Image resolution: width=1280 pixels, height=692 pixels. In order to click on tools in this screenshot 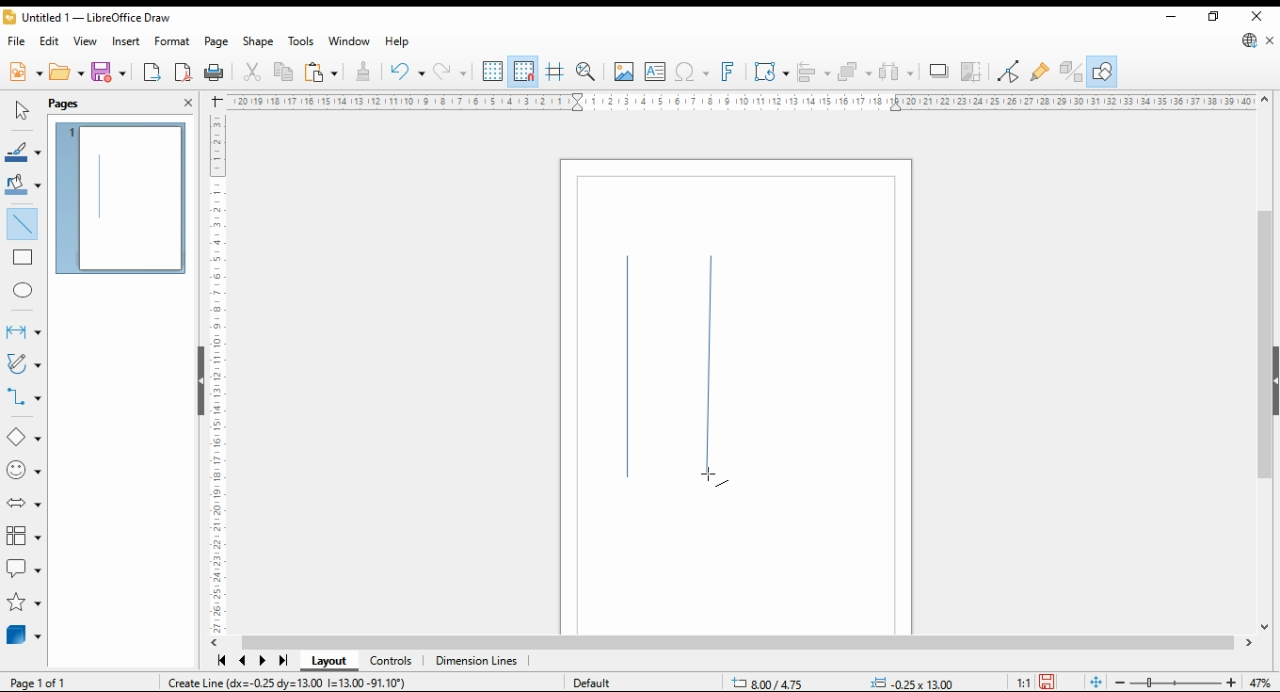, I will do `click(301, 40)`.